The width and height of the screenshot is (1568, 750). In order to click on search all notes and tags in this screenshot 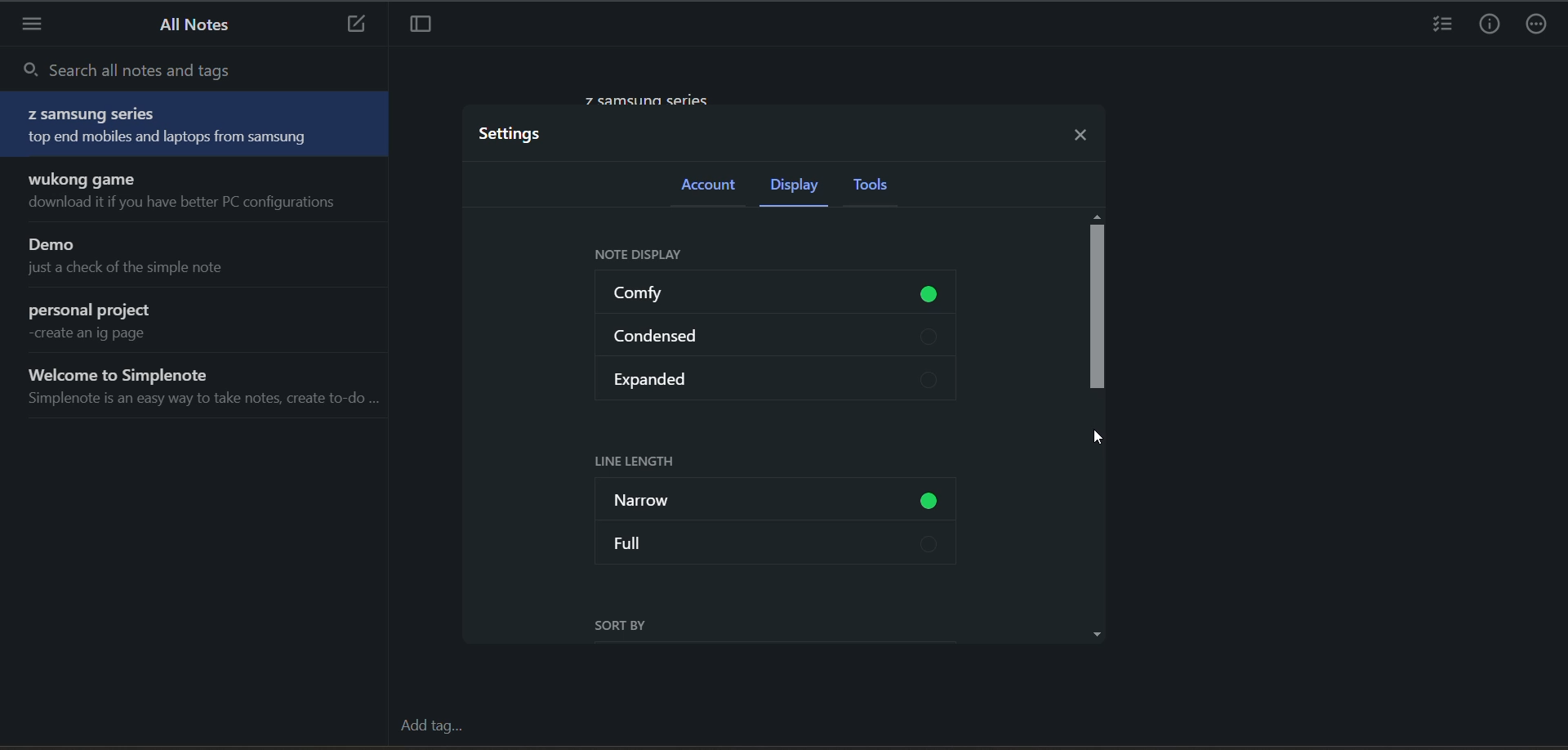, I will do `click(195, 71)`.